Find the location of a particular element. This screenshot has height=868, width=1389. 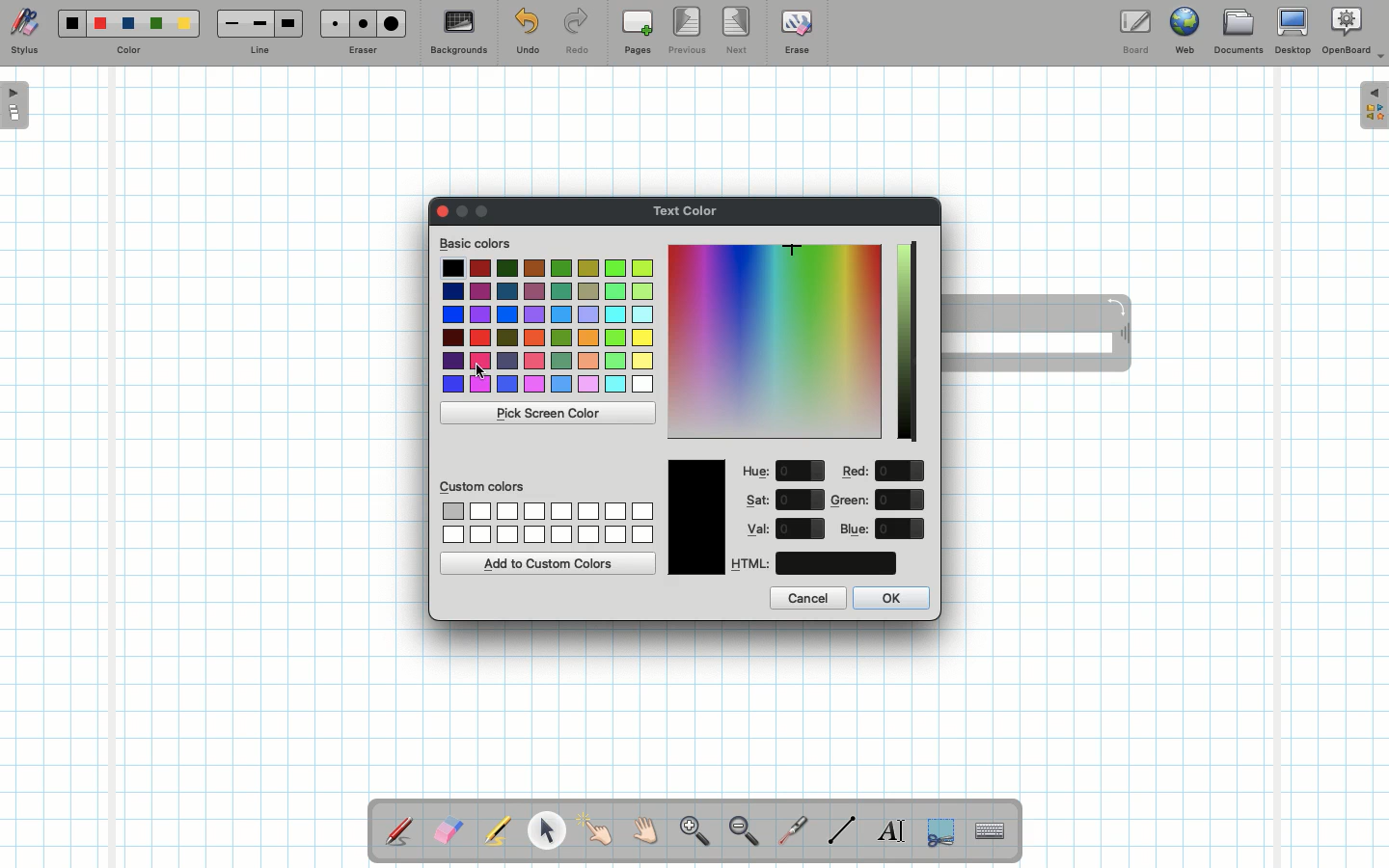

Undo is located at coordinates (527, 35).